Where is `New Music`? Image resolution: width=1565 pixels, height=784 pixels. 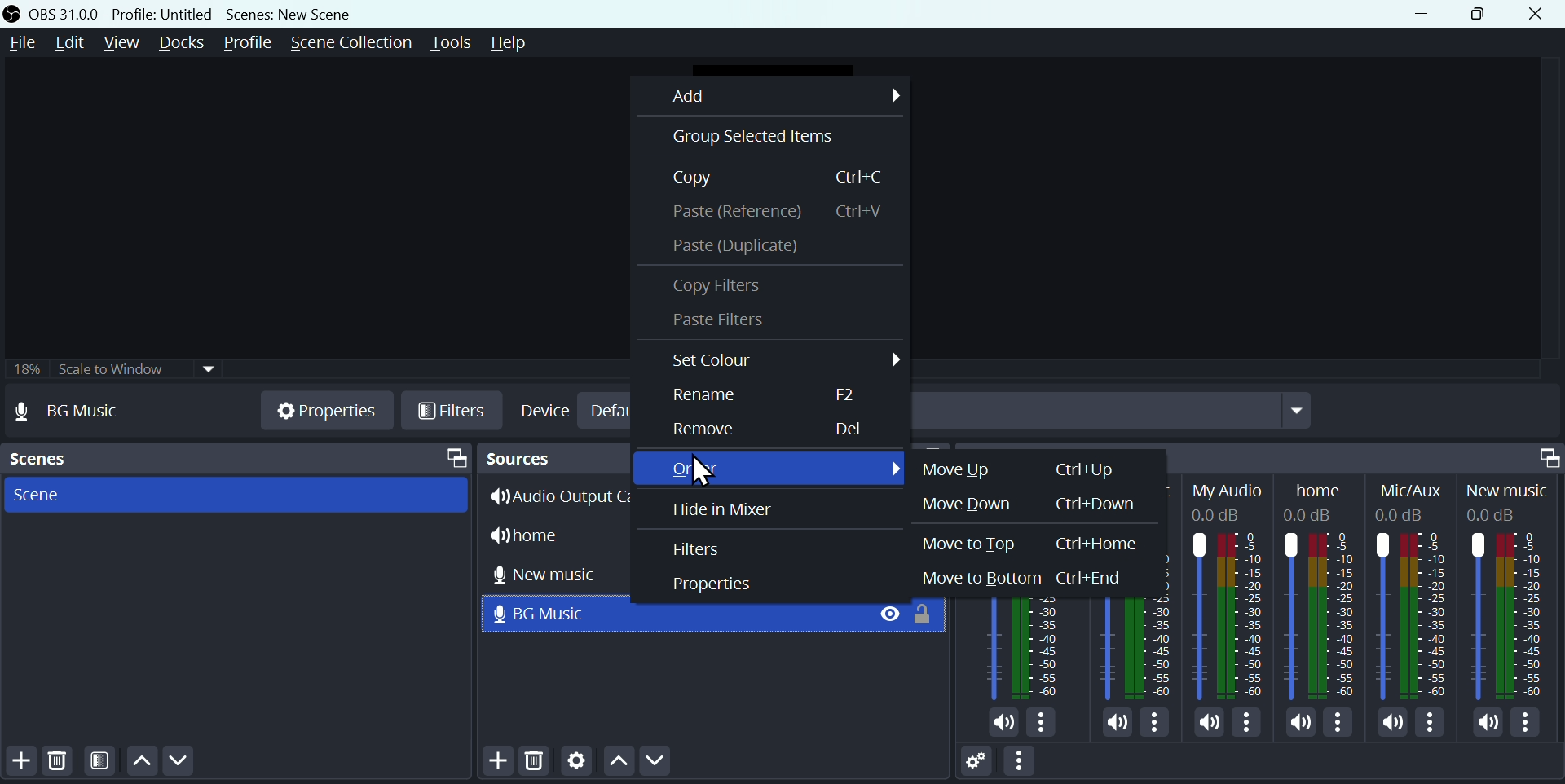
New Music is located at coordinates (1512, 592).